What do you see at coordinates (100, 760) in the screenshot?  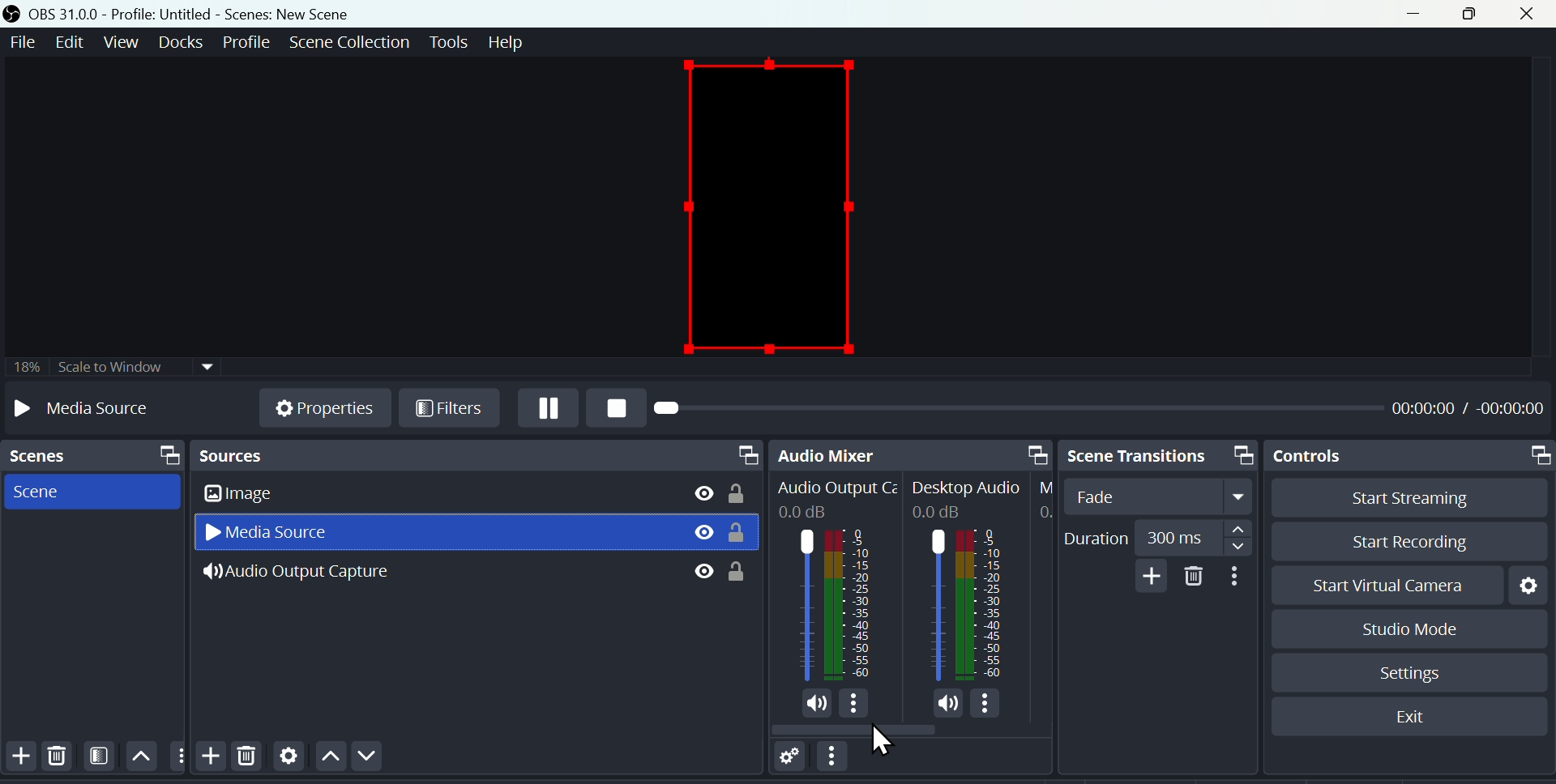 I see `Filtering` at bounding box center [100, 760].